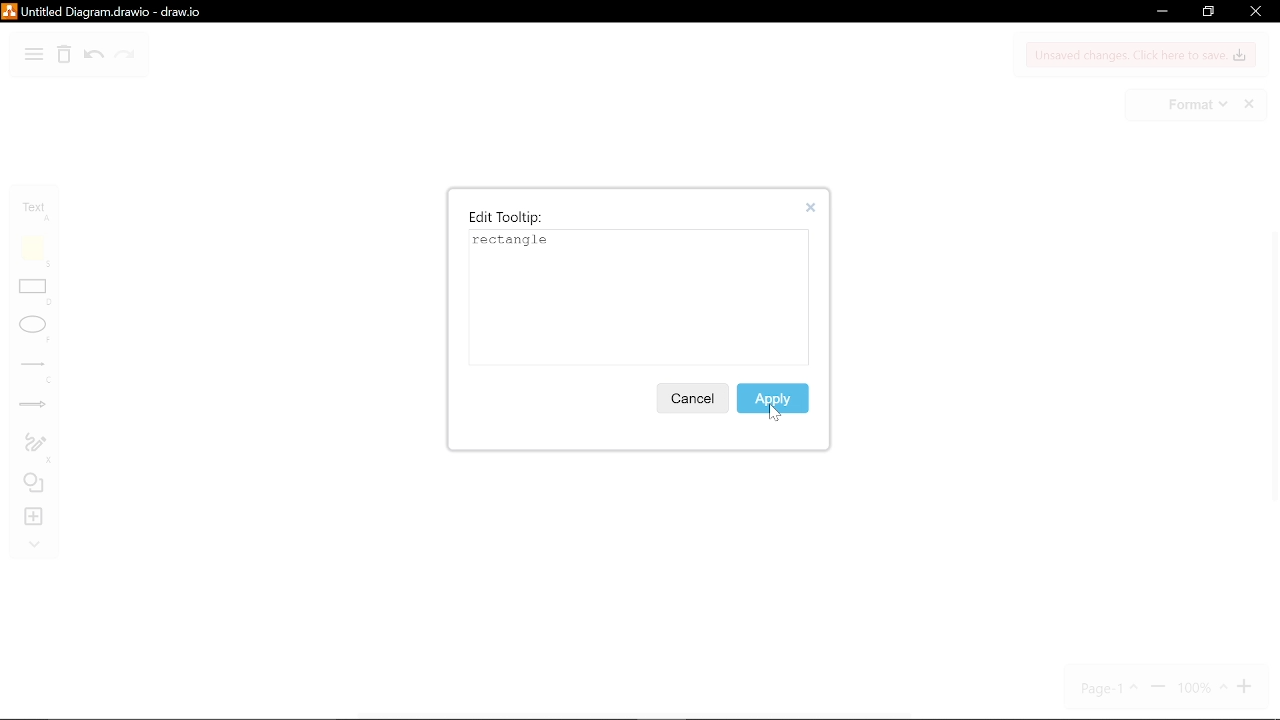 The image size is (1280, 720). Describe the element at coordinates (10, 11) in the screenshot. I see `draw.io logo` at that location.